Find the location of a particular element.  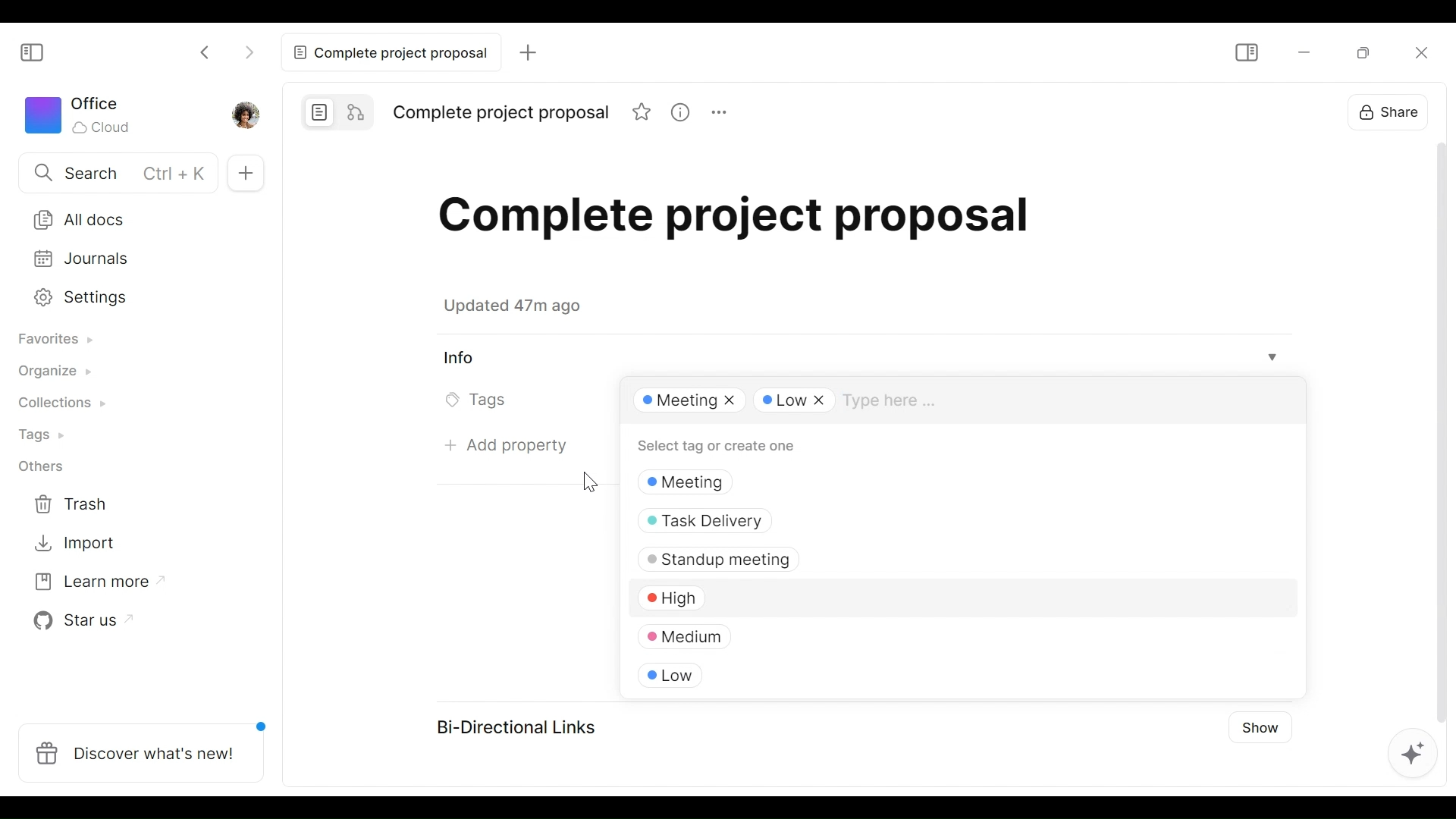

Edgeless mode is located at coordinates (356, 110).